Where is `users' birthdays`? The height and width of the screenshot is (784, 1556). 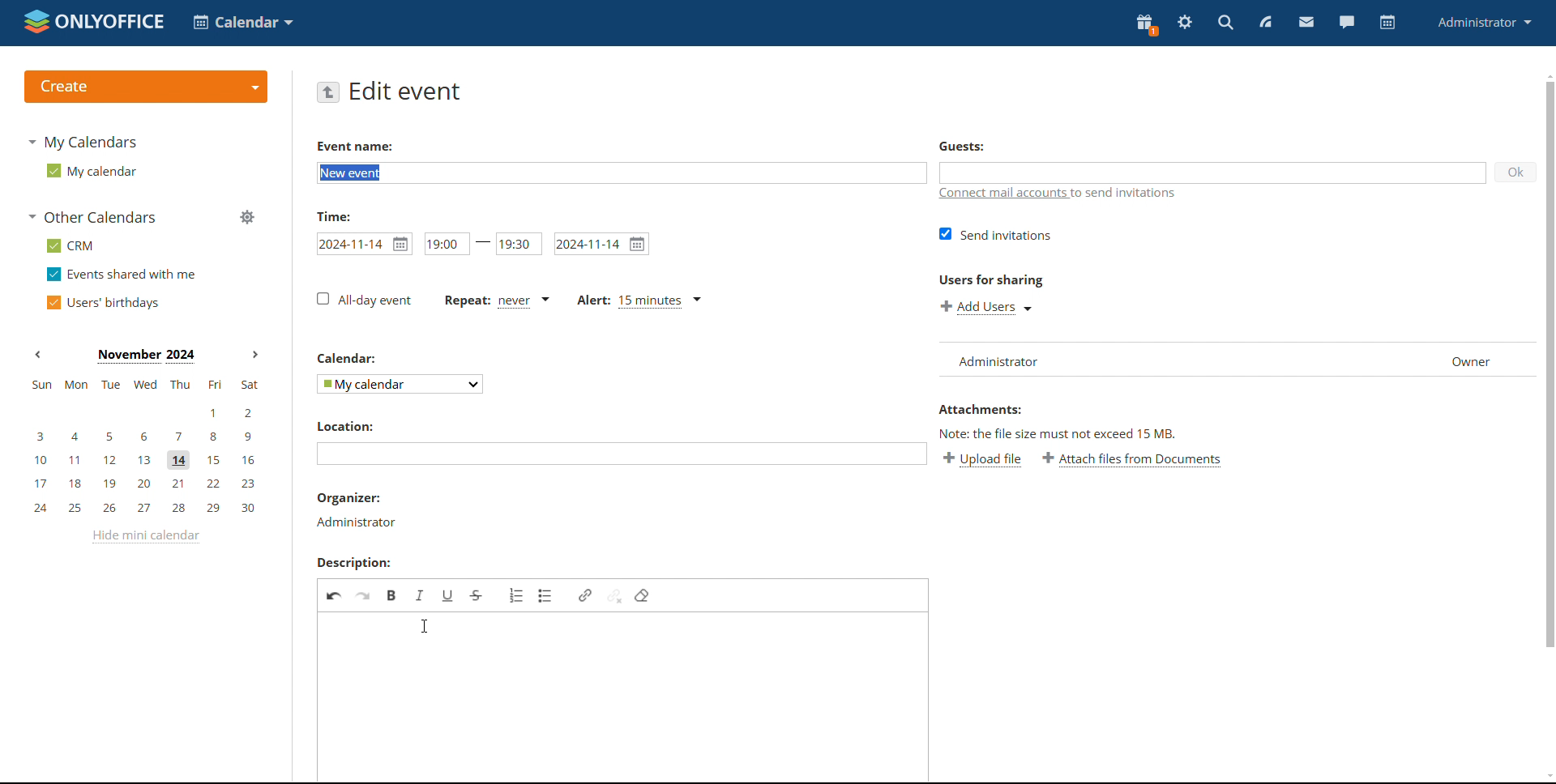 users' birthdays is located at coordinates (100, 303).